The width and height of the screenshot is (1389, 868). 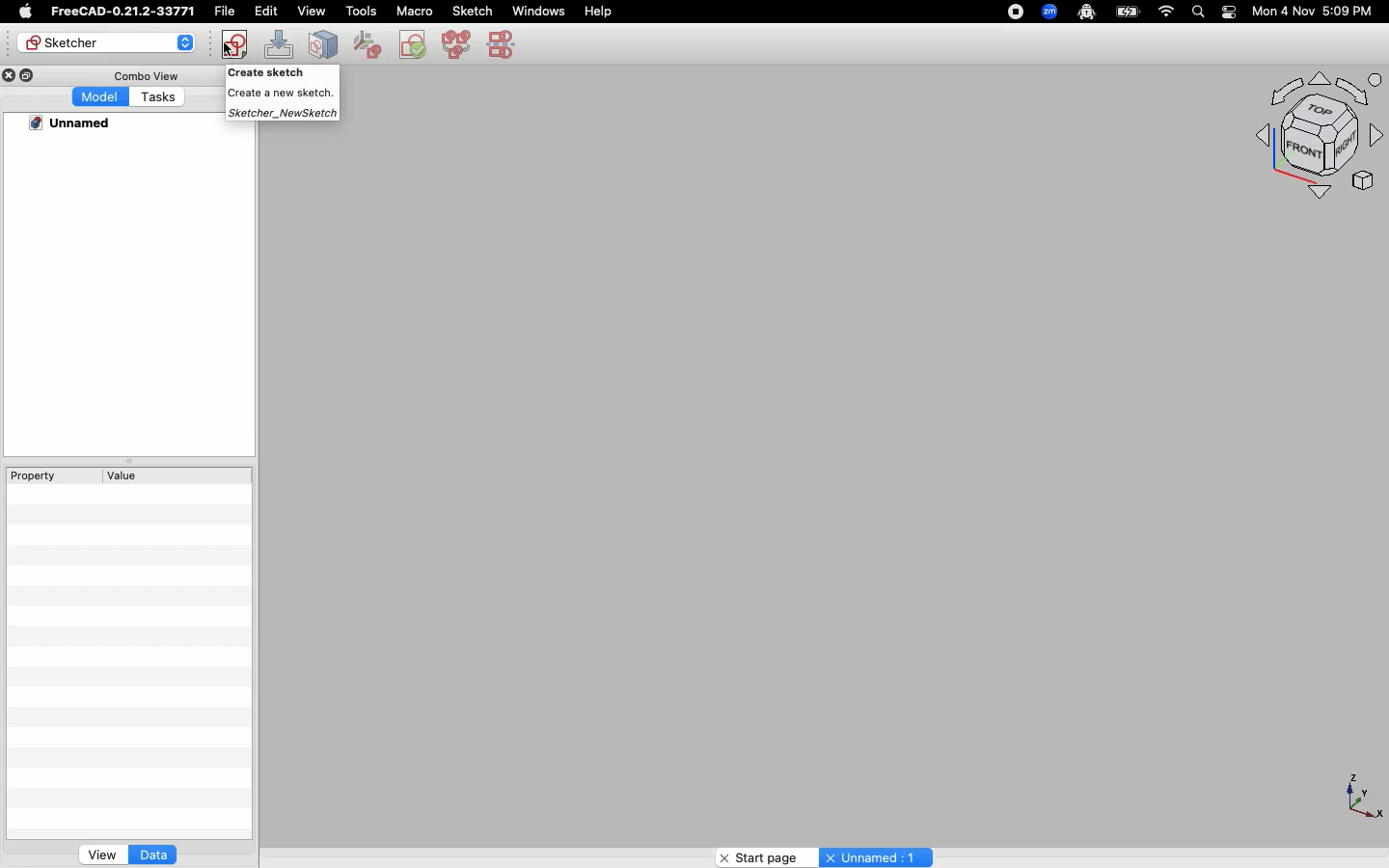 What do you see at coordinates (9, 77) in the screenshot?
I see `Close` at bounding box center [9, 77].